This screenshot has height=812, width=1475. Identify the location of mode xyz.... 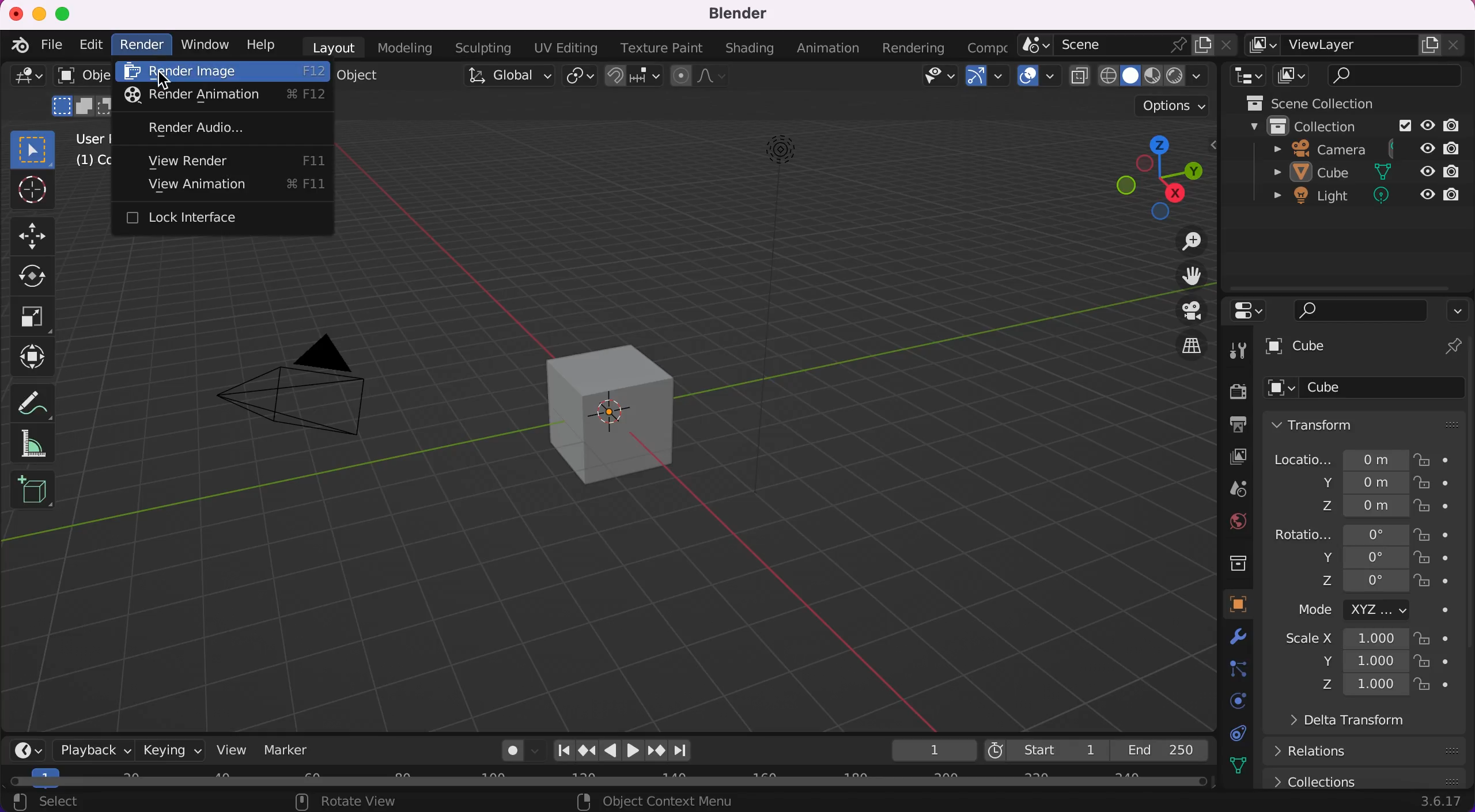
(1365, 612).